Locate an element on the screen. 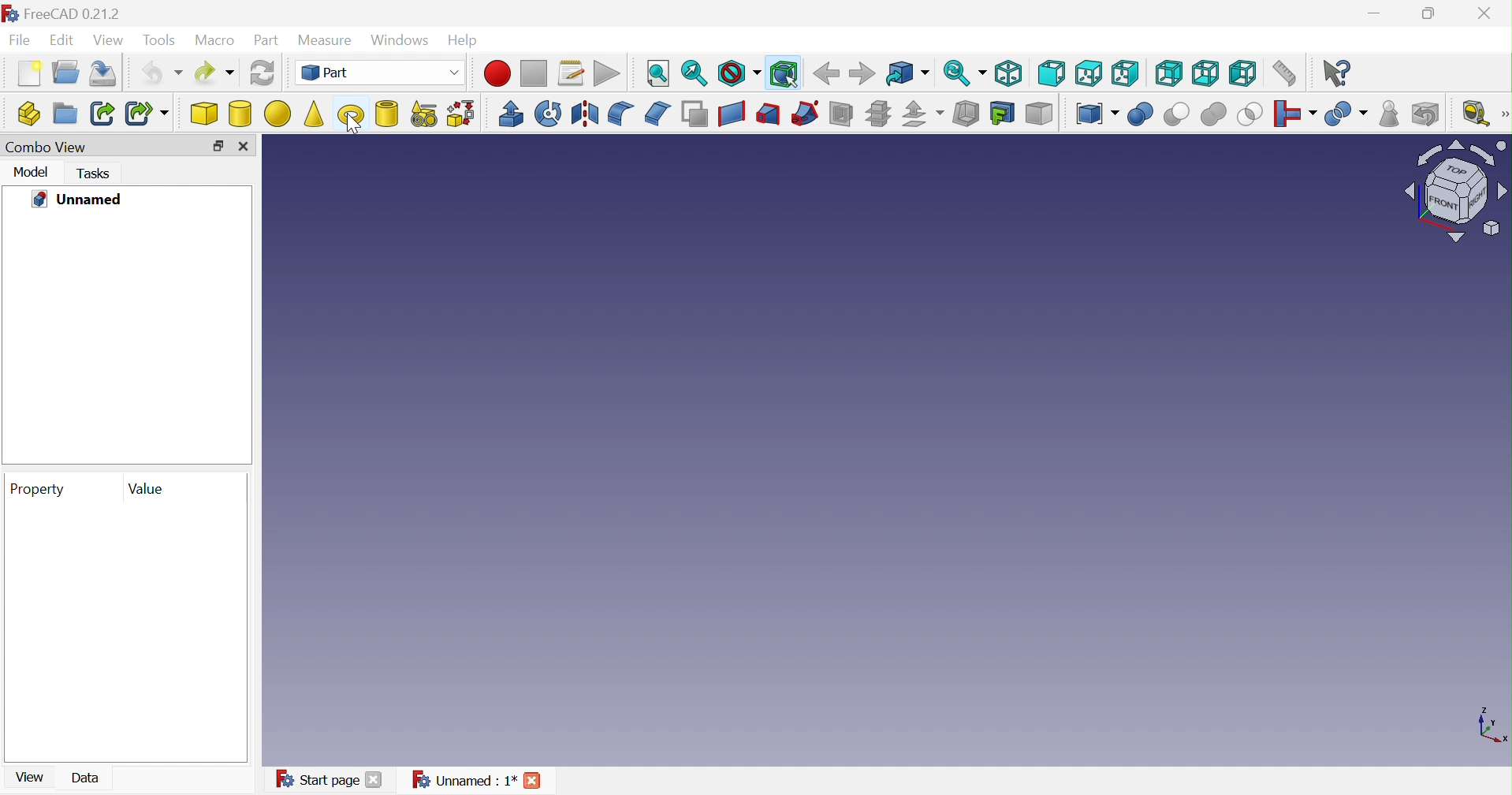 Image resolution: width=1512 pixels, height=795 pixels. Tools is located at coordinates (162, 42).